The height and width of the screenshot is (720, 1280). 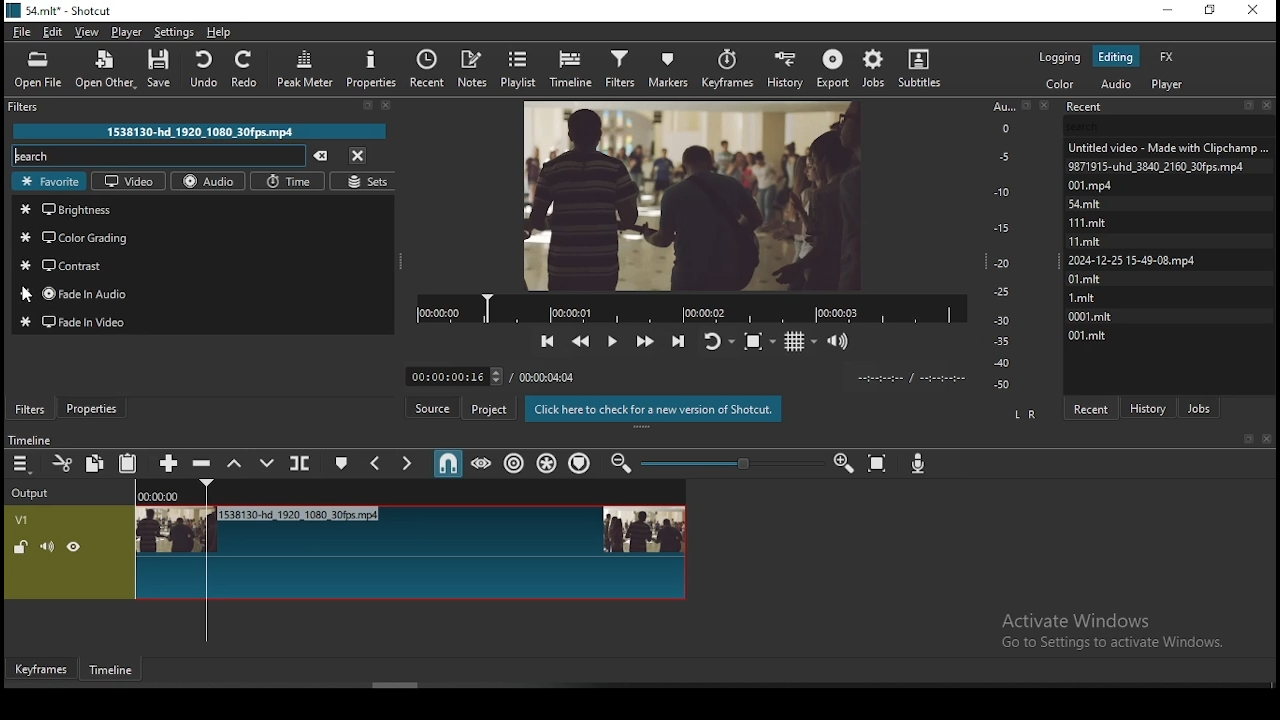 I want to click on source, so click(x=433, y=408).